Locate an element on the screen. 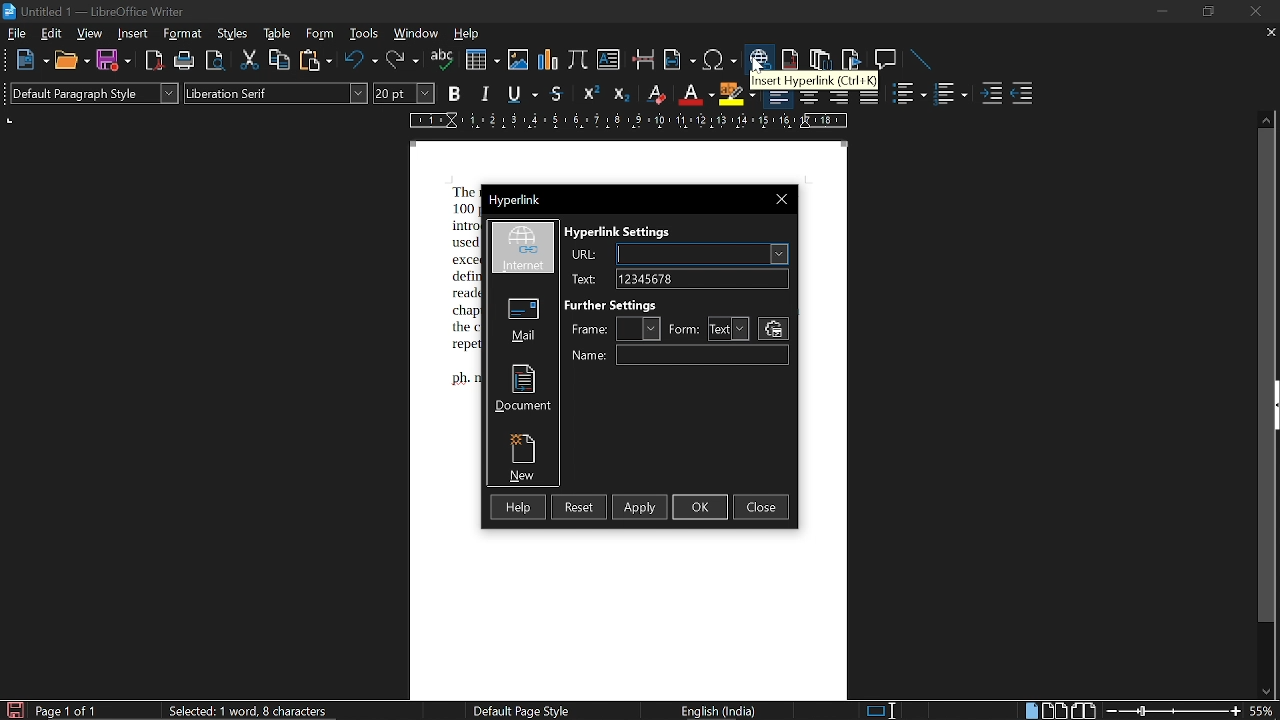 Image resolution: width=1280 pixels, height=720 pixels. insert hyperlink is located at coordinates (758, 59).